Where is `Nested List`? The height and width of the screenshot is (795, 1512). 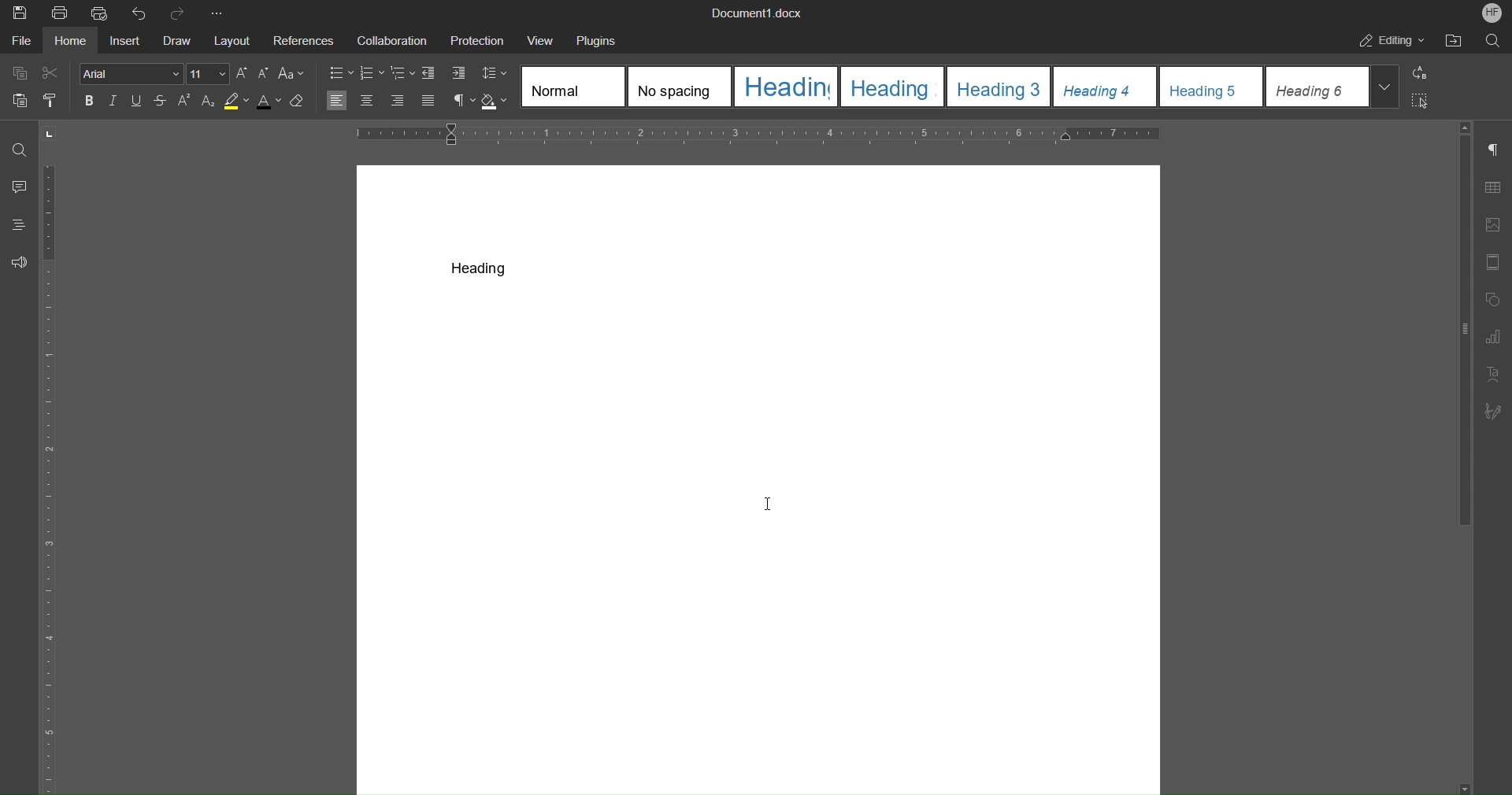
Nested List is located at coordinates (402, 72).